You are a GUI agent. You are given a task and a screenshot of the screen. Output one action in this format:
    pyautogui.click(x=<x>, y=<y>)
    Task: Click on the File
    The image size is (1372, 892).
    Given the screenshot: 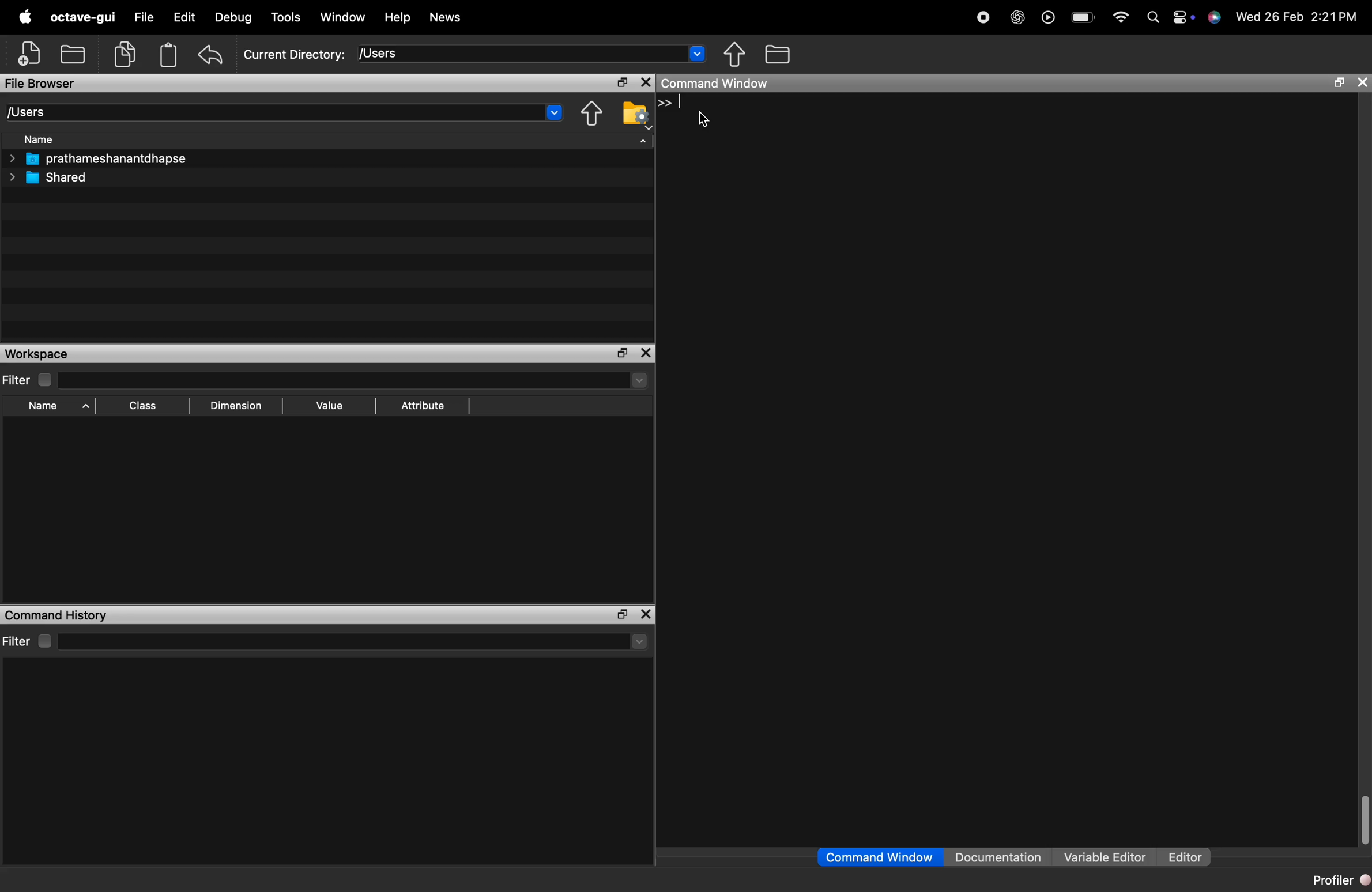 What is the action you would take?
    pyautogui.click(x=141, y=14)
    